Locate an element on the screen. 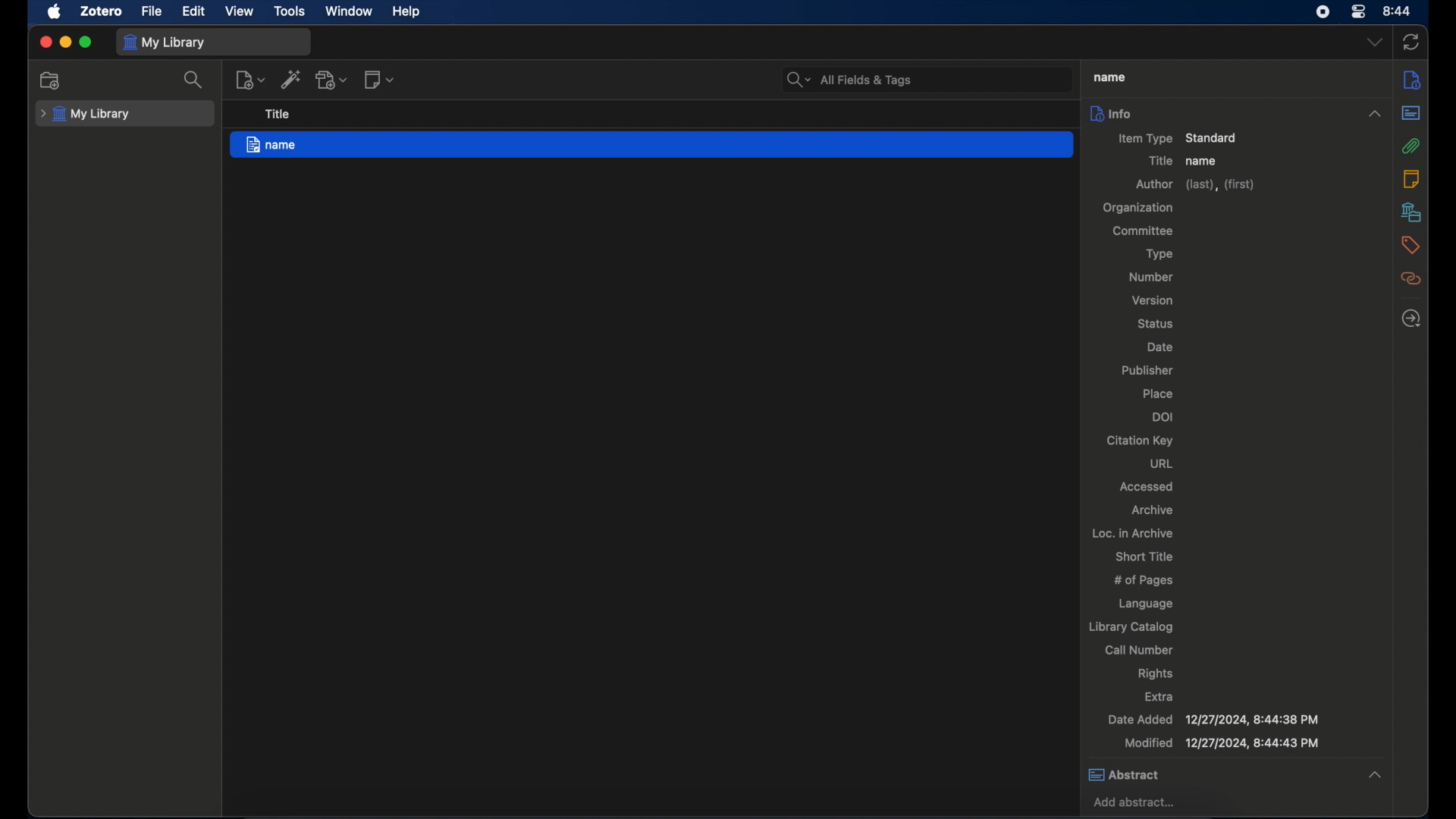 This screenshot has height=819, width=1456. libraries is located at coordinates (1411, 212).